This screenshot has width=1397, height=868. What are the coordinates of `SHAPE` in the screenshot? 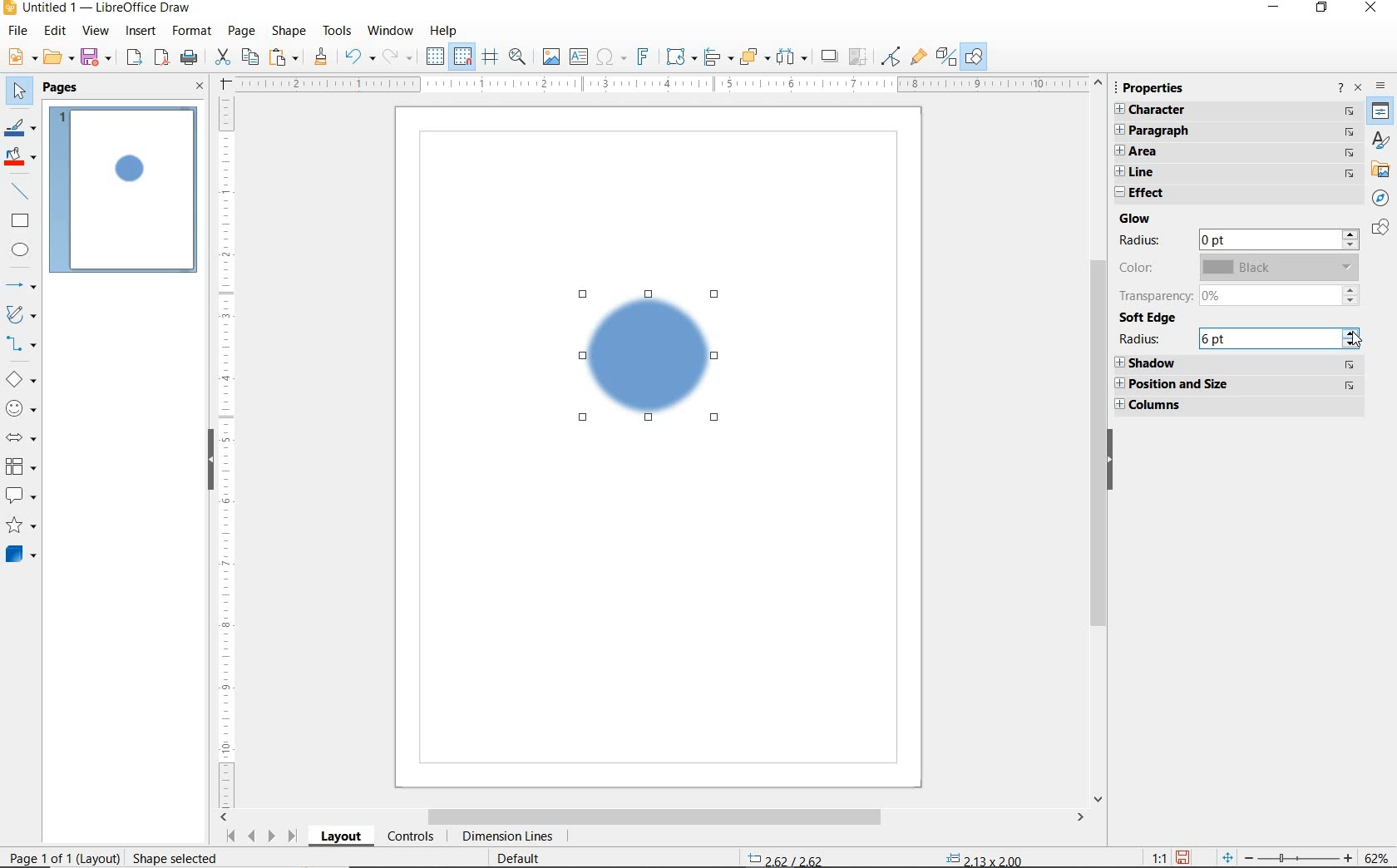 It's located at (289, 32).